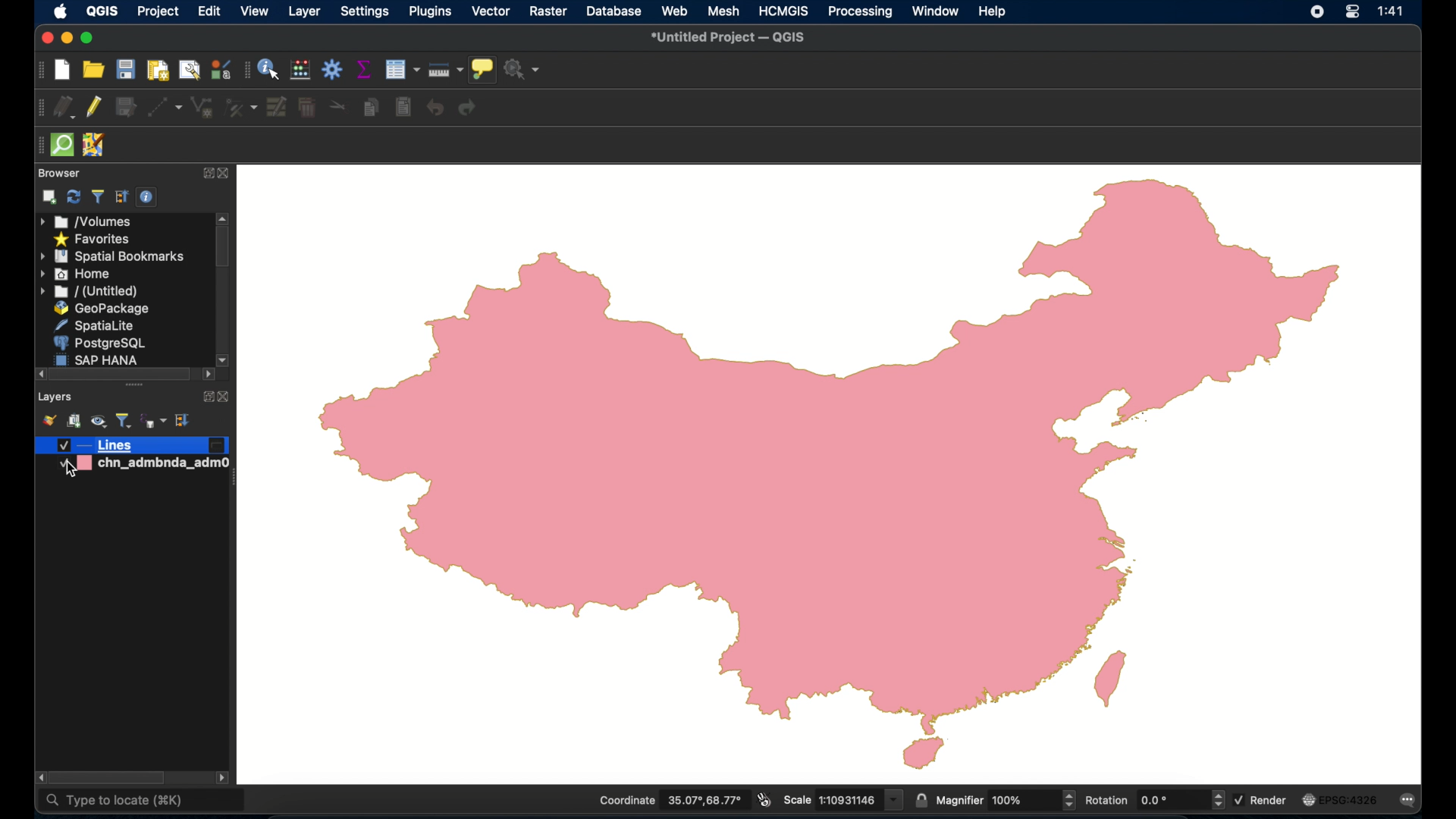 Image resolution: width=1456 pixels, height=819 pixels. What do you see at coordinates (333, 69) in the screenshot?
I see `toolbox` at bounding box center [333, 69].